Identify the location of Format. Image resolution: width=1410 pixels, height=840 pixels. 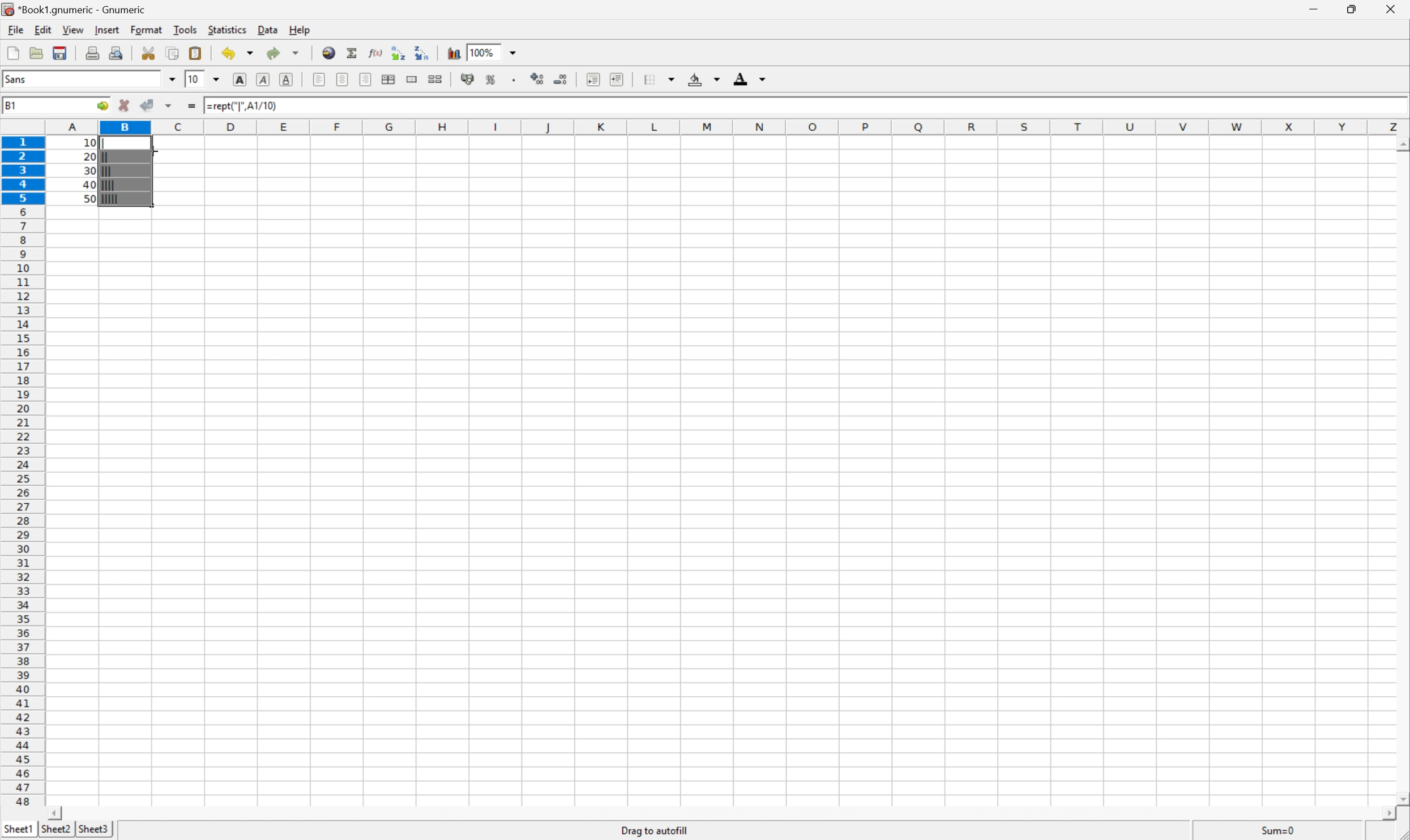
(147, 29).